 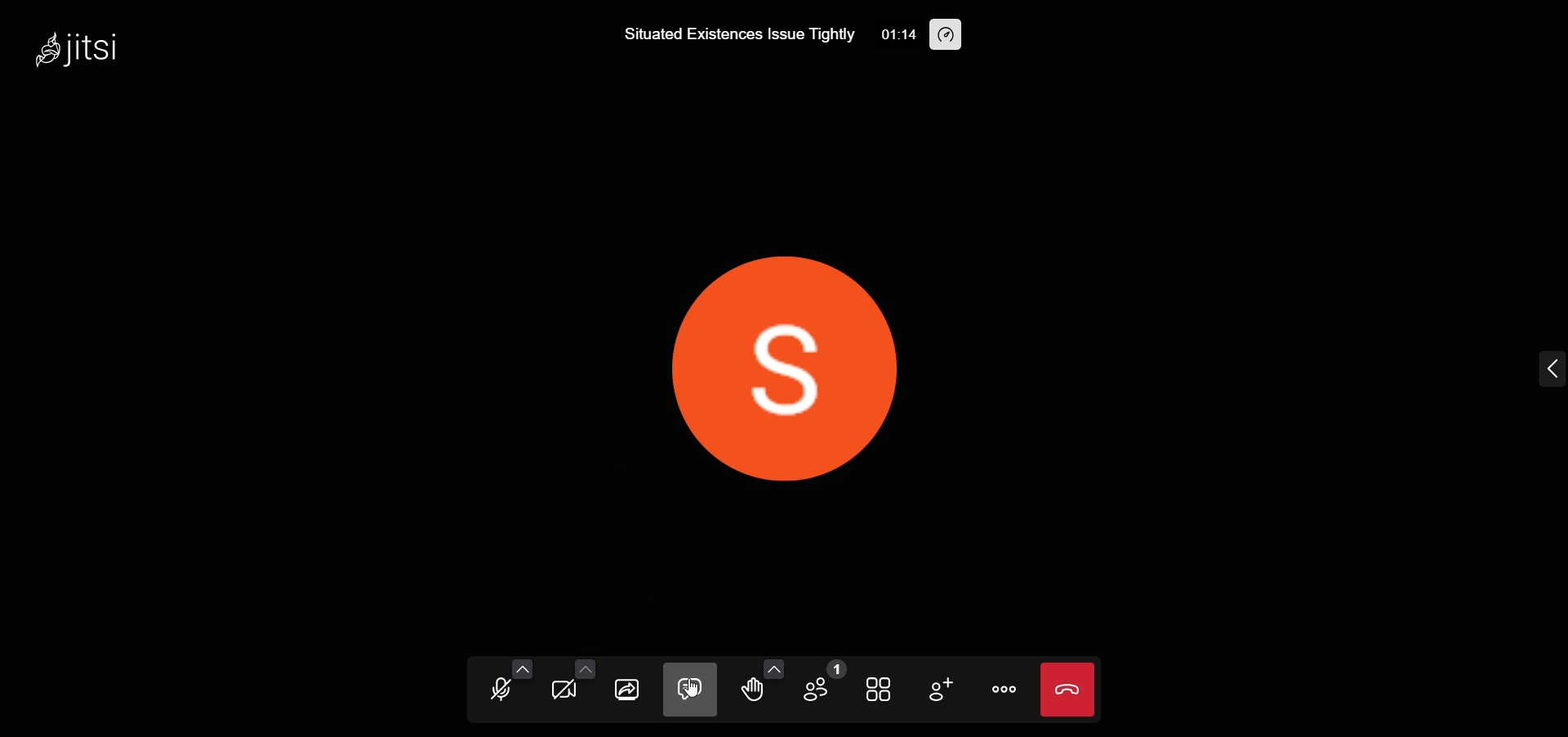 I want to click on Jitsi, so click(x=89, y=44).